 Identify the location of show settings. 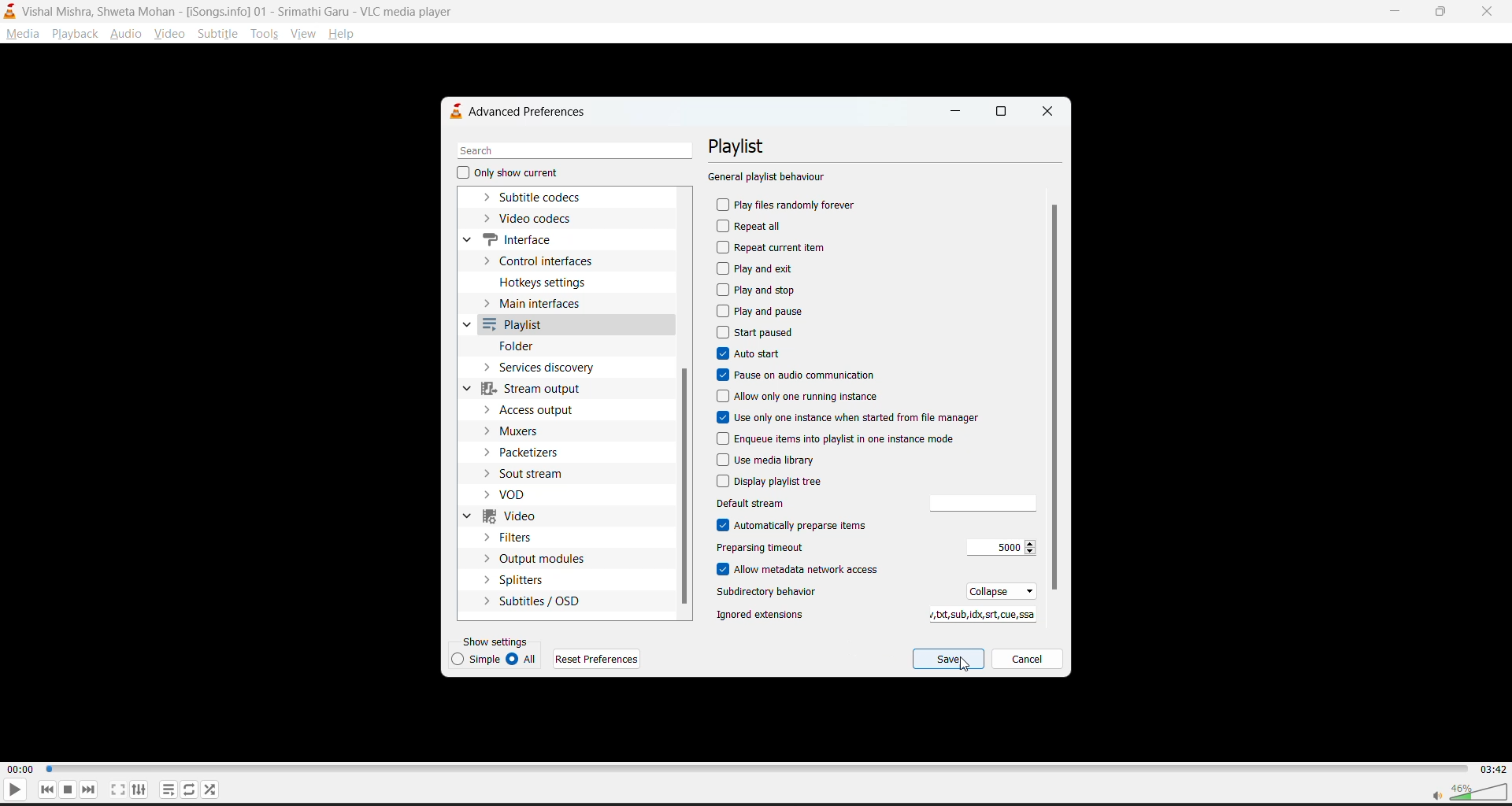
(495, 642).